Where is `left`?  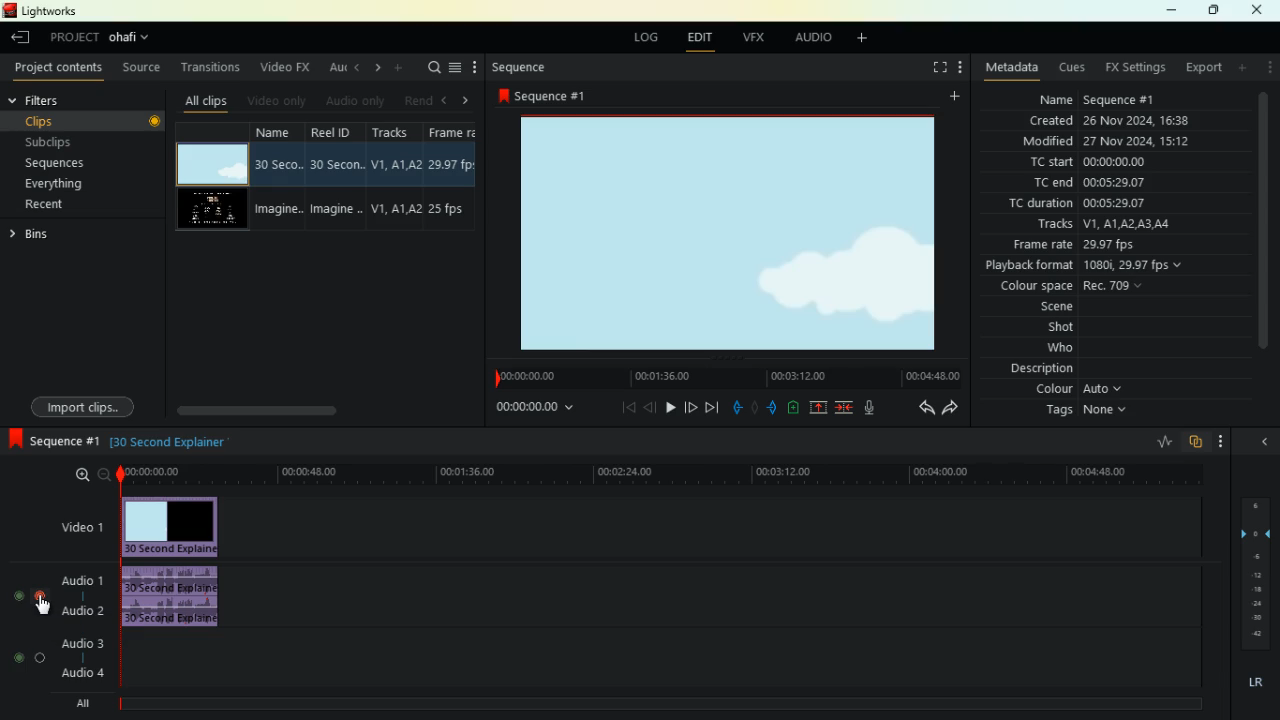 left is located at coordinates (445, 100).